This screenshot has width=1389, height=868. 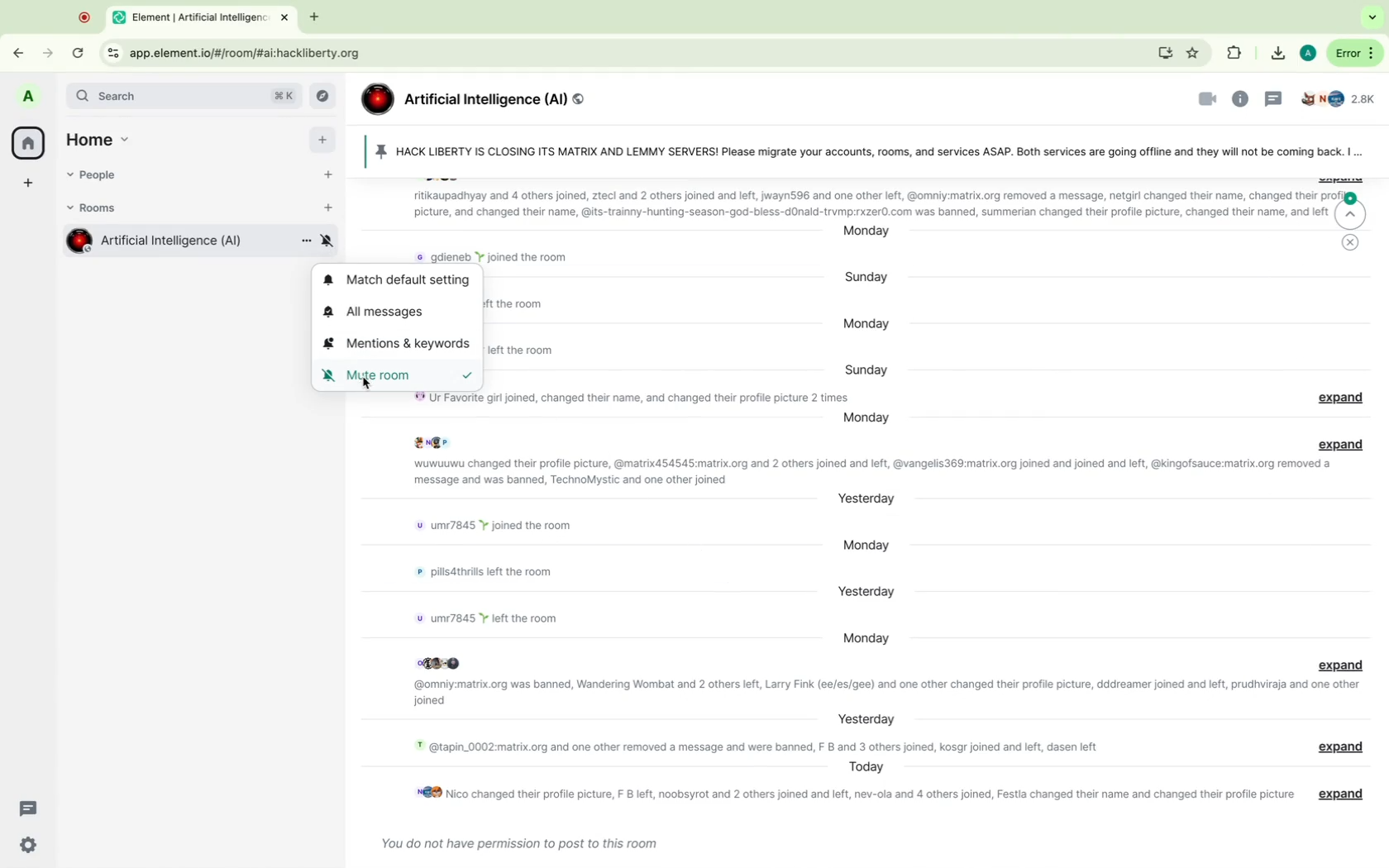 What do you see at coordinates (30, 96) in the screenshot?
I see `profile` at bounding box center [30, 96].